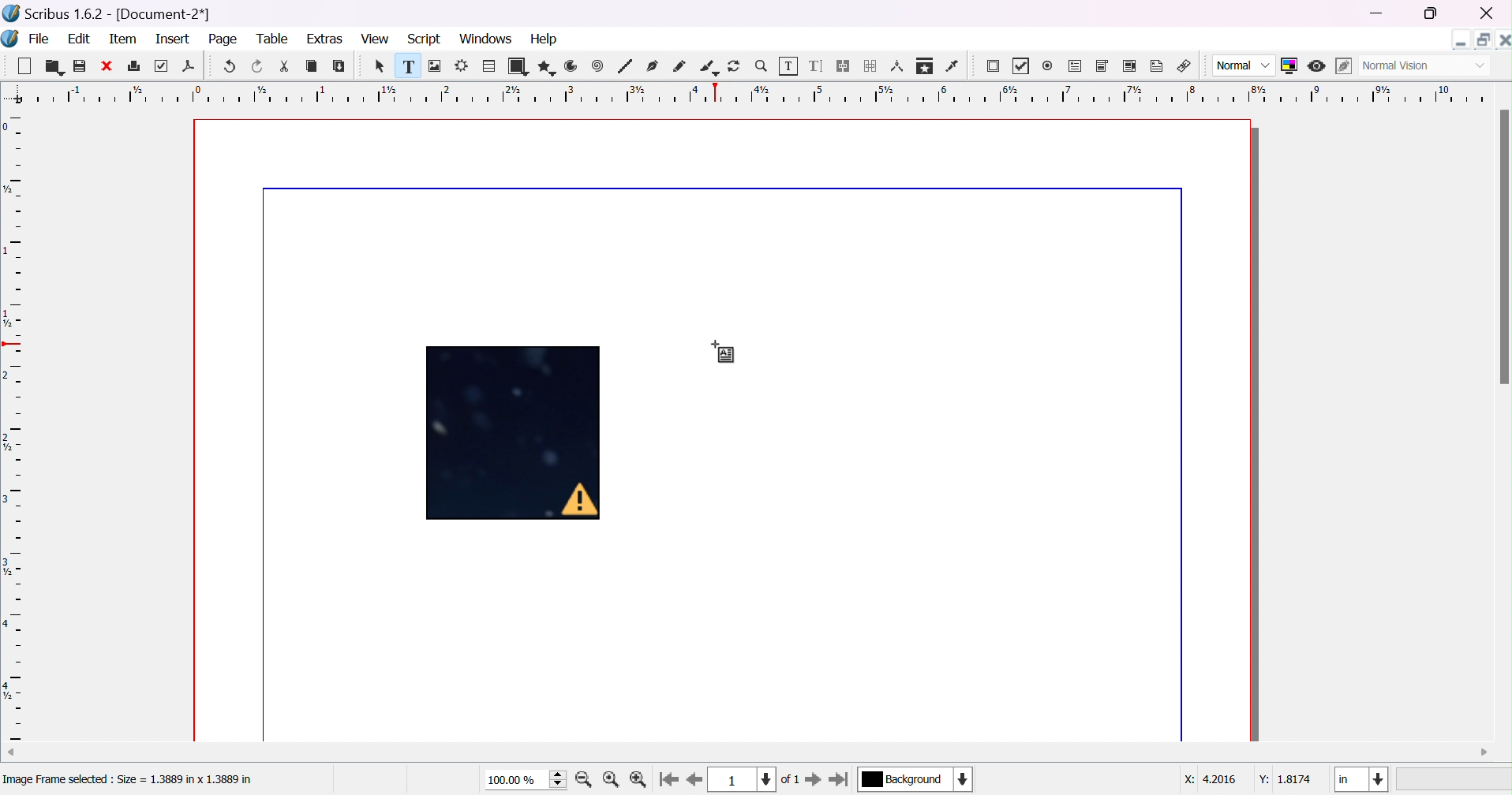 Image resolution: width=1512 pixels, height=795 pixels. Describe the element at coordinates (1488, 13) in the screenshot. I see `close` at that location.